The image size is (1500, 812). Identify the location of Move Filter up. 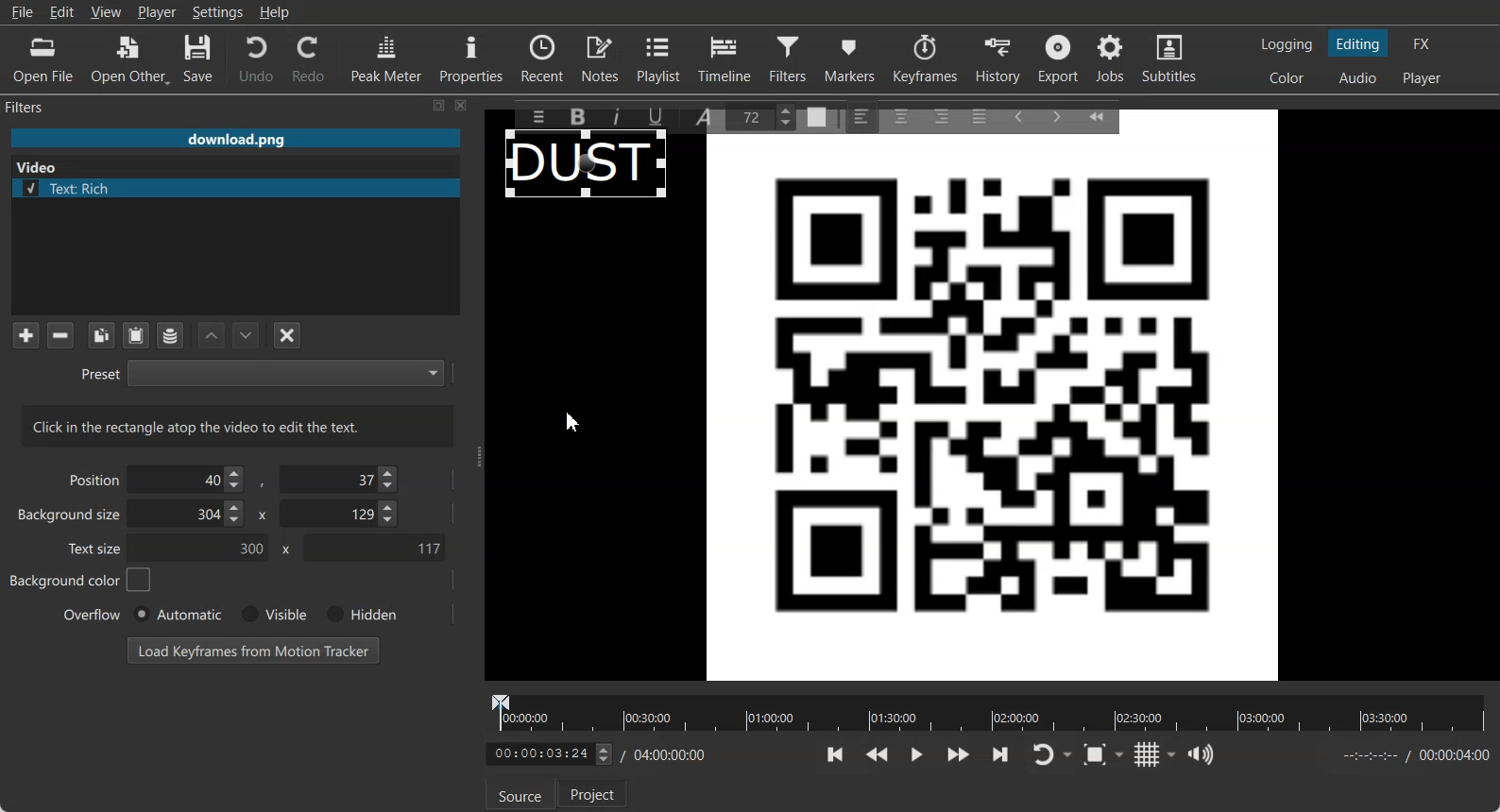
(212, 336).